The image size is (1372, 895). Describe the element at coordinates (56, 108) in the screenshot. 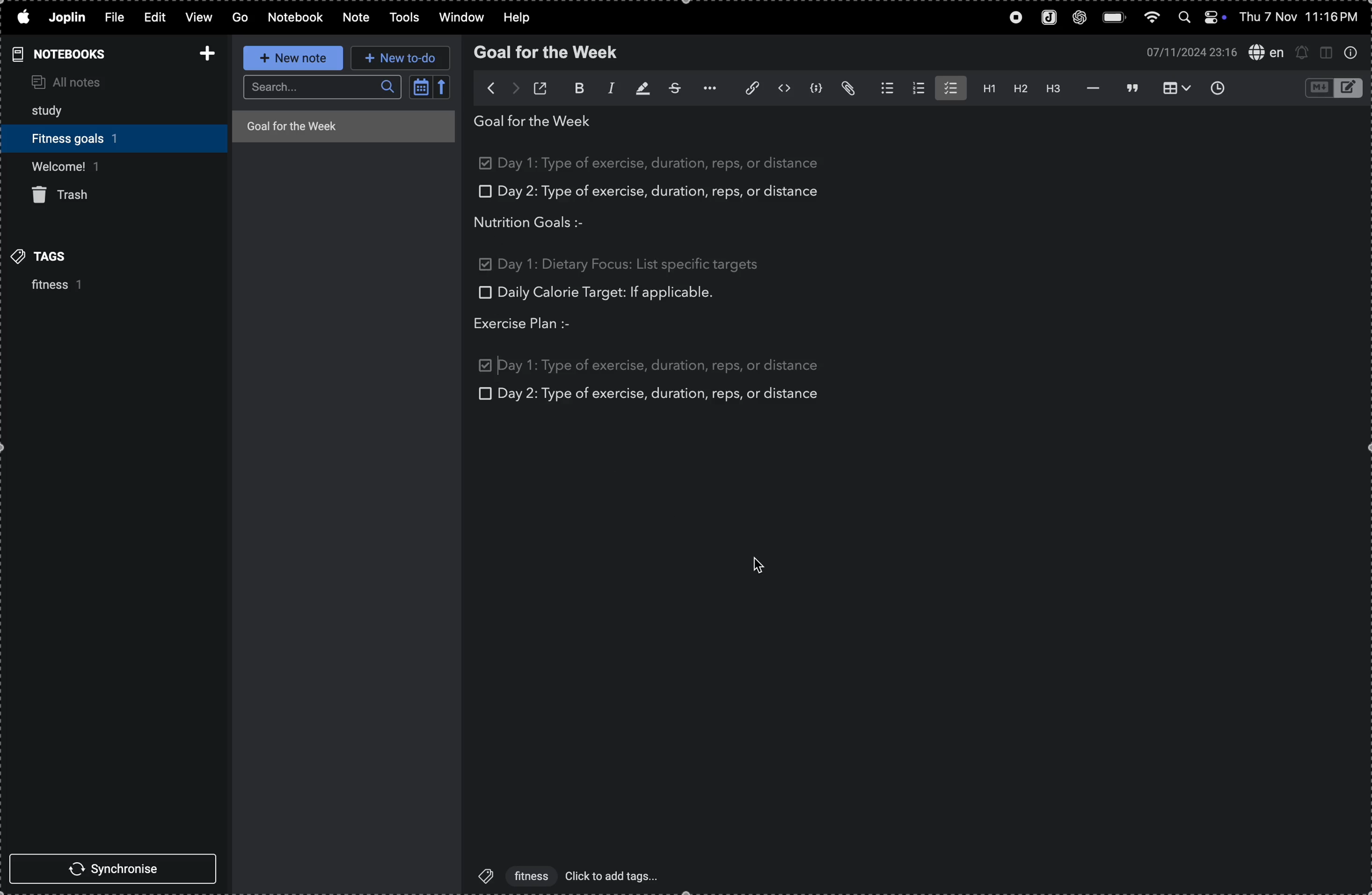

I see `study` at that location.